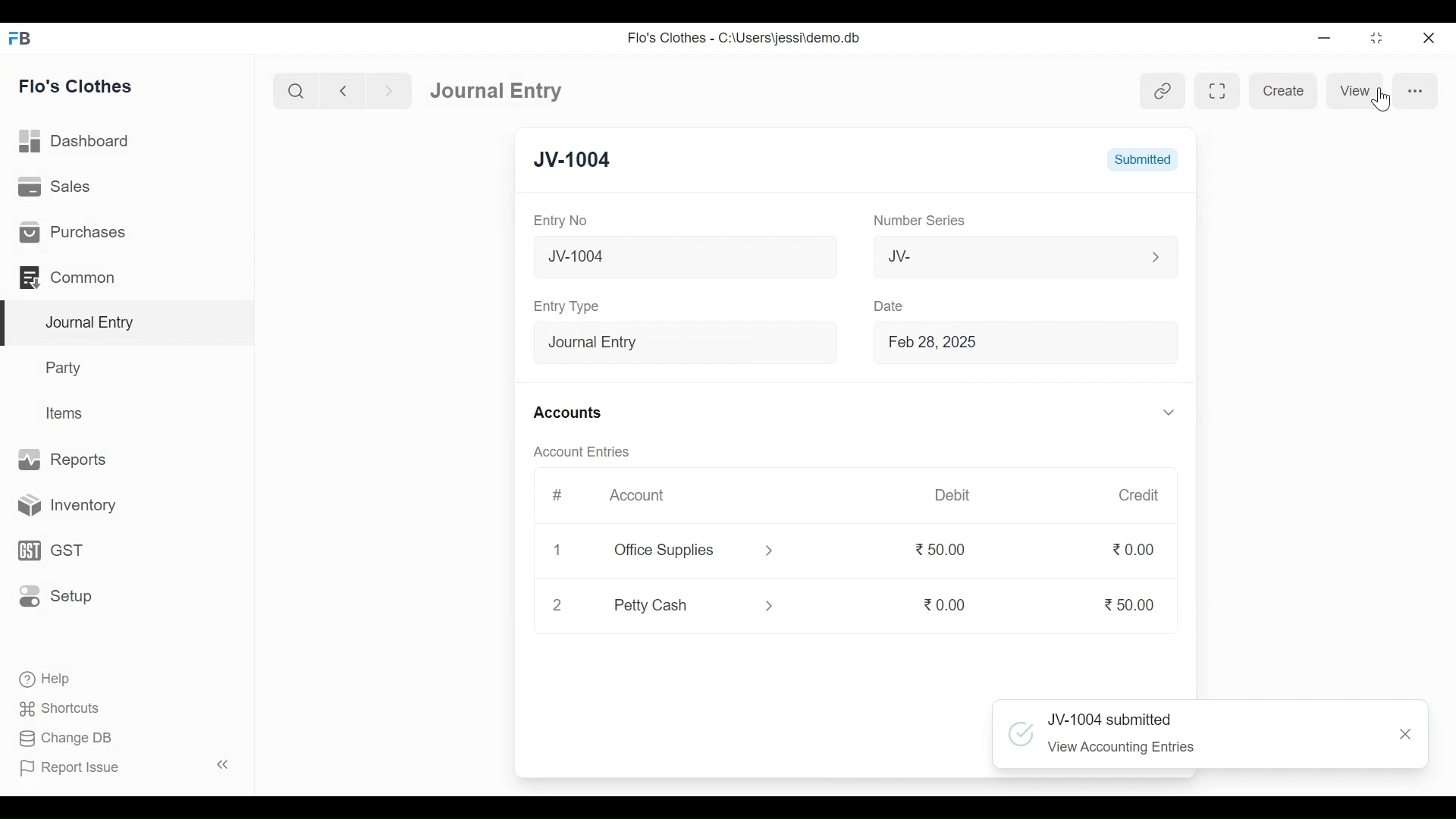 The width and height of the screenshot is (1456, 819). What do you see at coordinates (66, 367) in the screenshot?
I see `Party` at bounding box center [66, 367].